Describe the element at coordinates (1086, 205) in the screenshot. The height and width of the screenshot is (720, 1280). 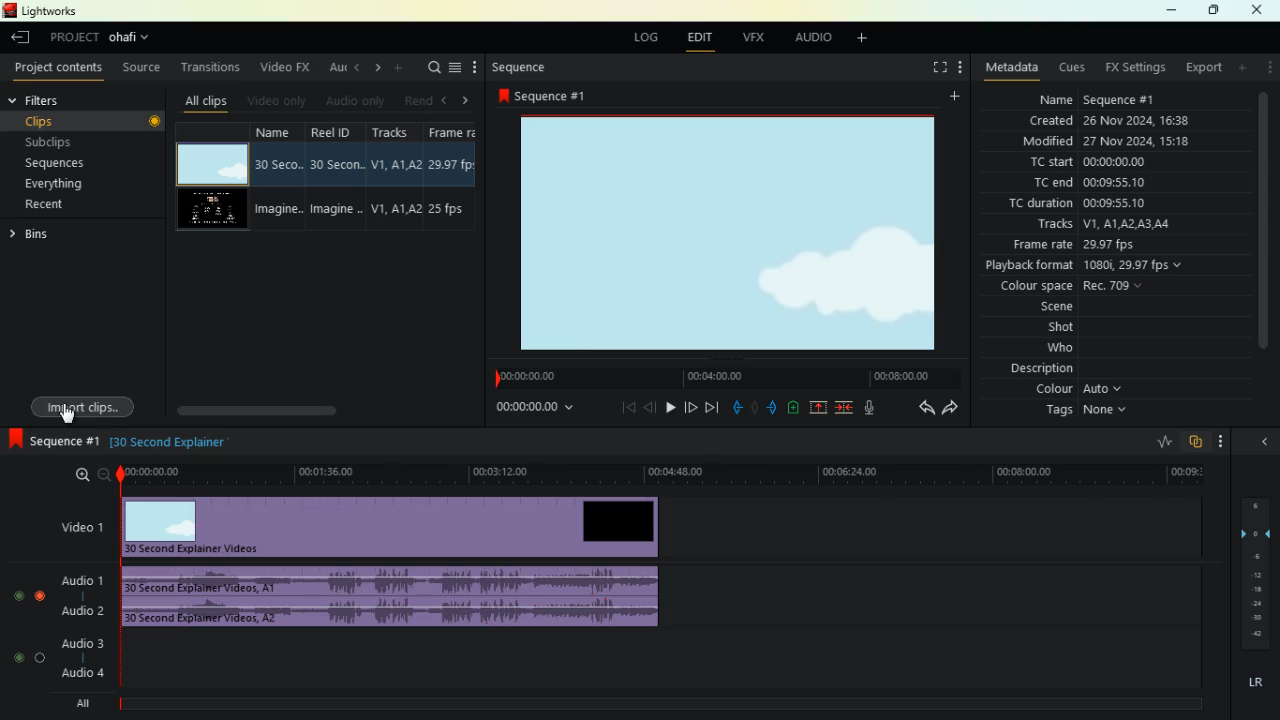
I see `tc duration` at that location.